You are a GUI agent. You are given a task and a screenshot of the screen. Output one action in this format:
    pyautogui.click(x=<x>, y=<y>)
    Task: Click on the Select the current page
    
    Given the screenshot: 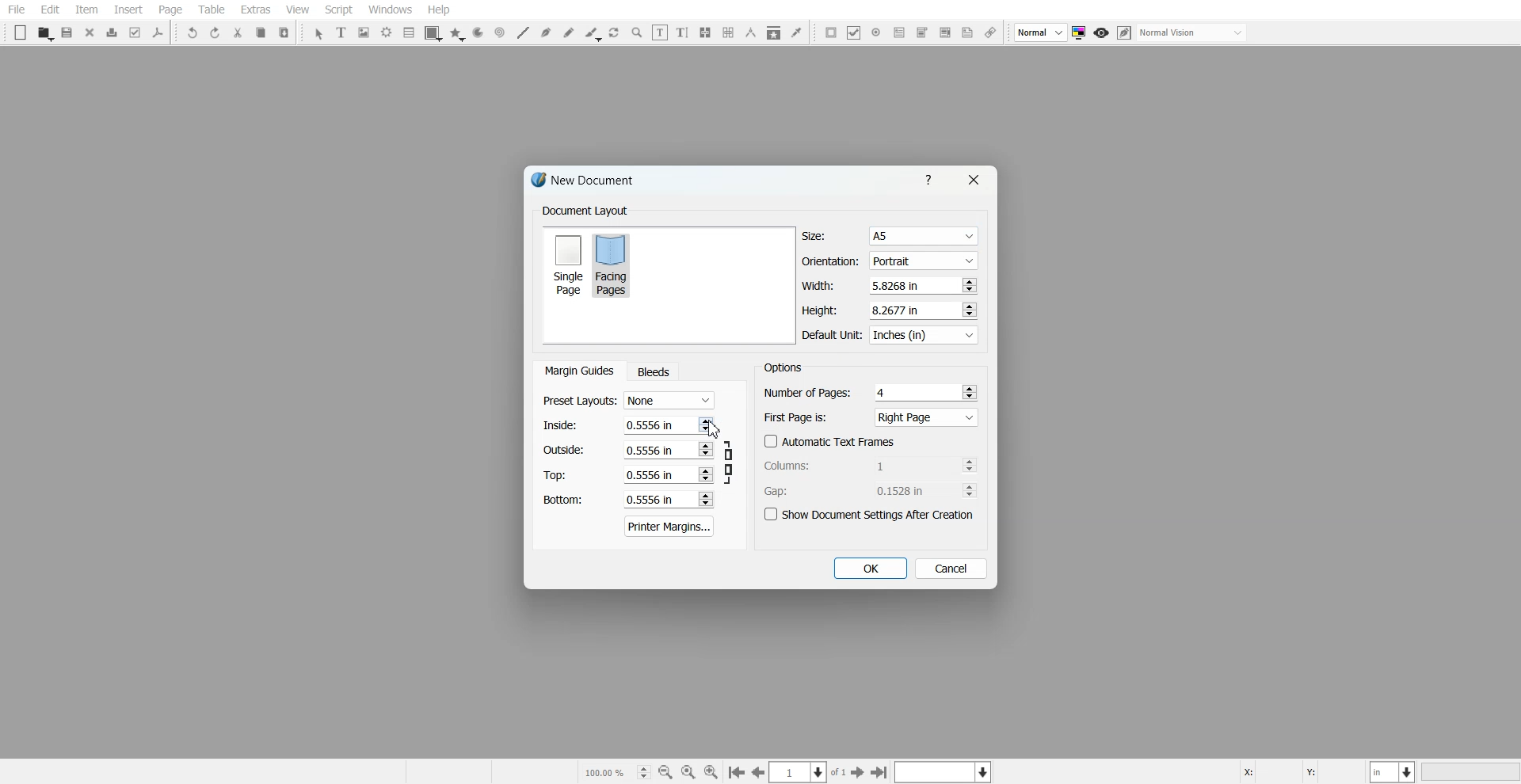 What is the action you would take?
    pyautogui.click(x=809, y=772)
    